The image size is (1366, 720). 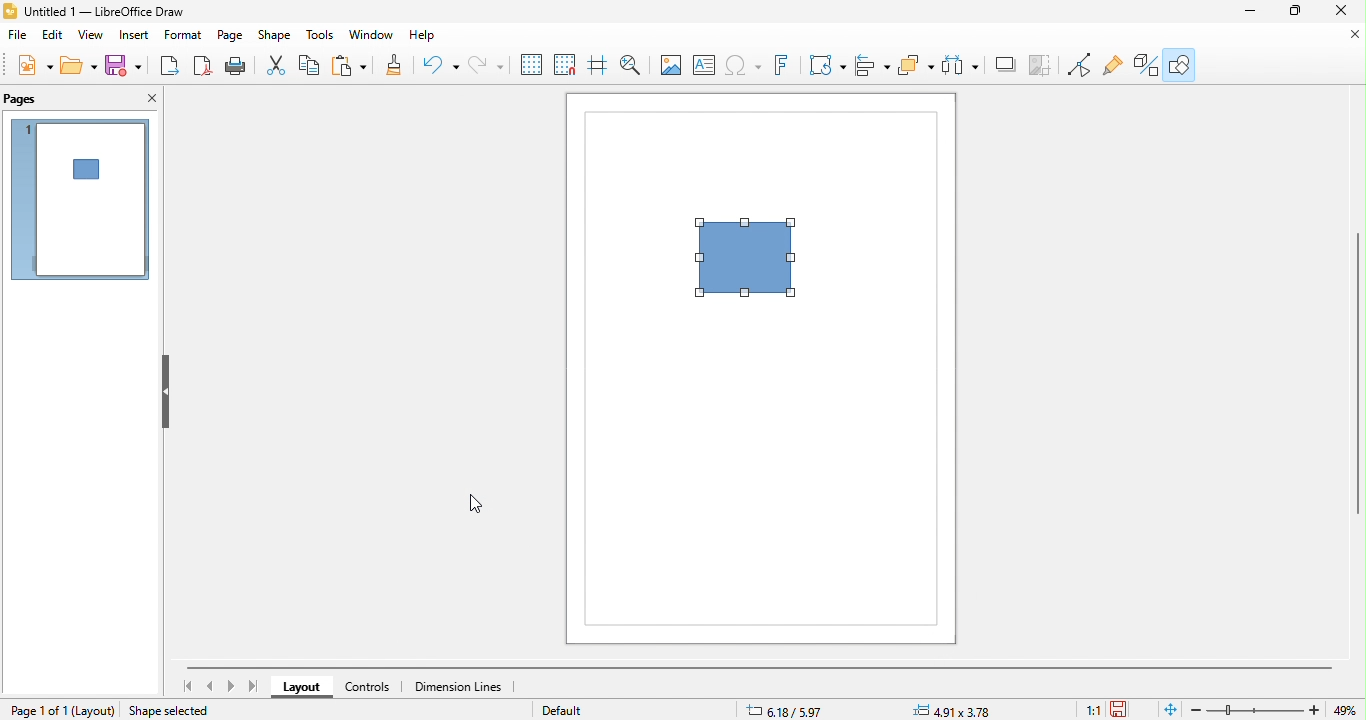 What do you see at coordinates (1340, 10) in the screenshot?
I see `close` at bounding box center [1340, 10].